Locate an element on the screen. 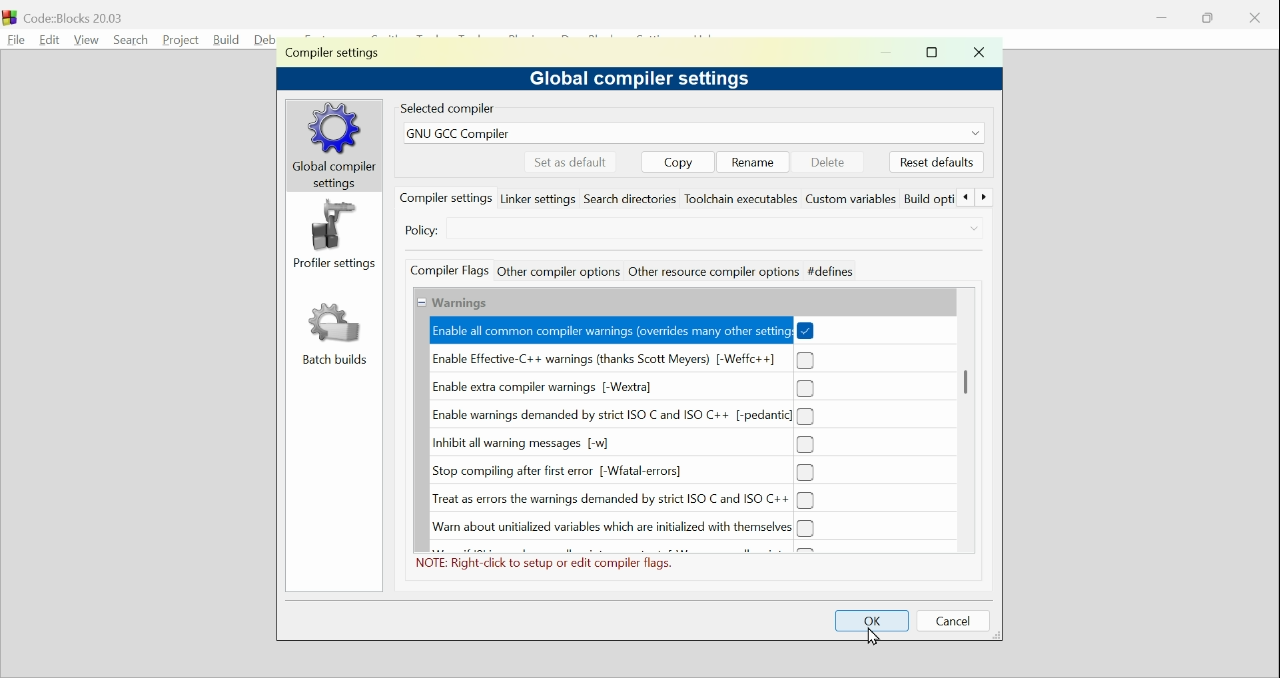 This screenshot has width=1280, height=678. Profiler setting is located at coordinates (336, 235).